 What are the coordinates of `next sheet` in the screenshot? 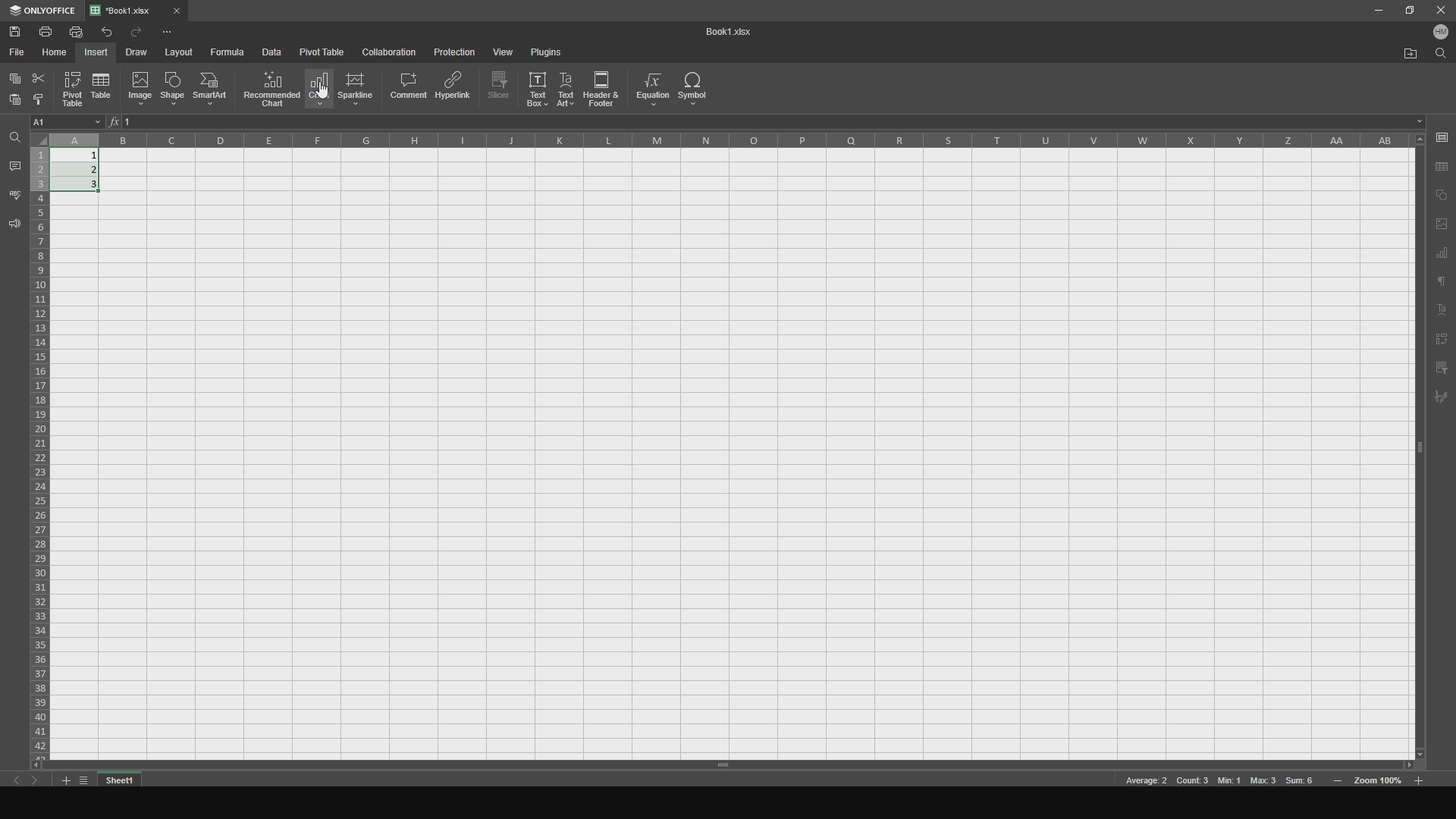 It's located at (42, 783).